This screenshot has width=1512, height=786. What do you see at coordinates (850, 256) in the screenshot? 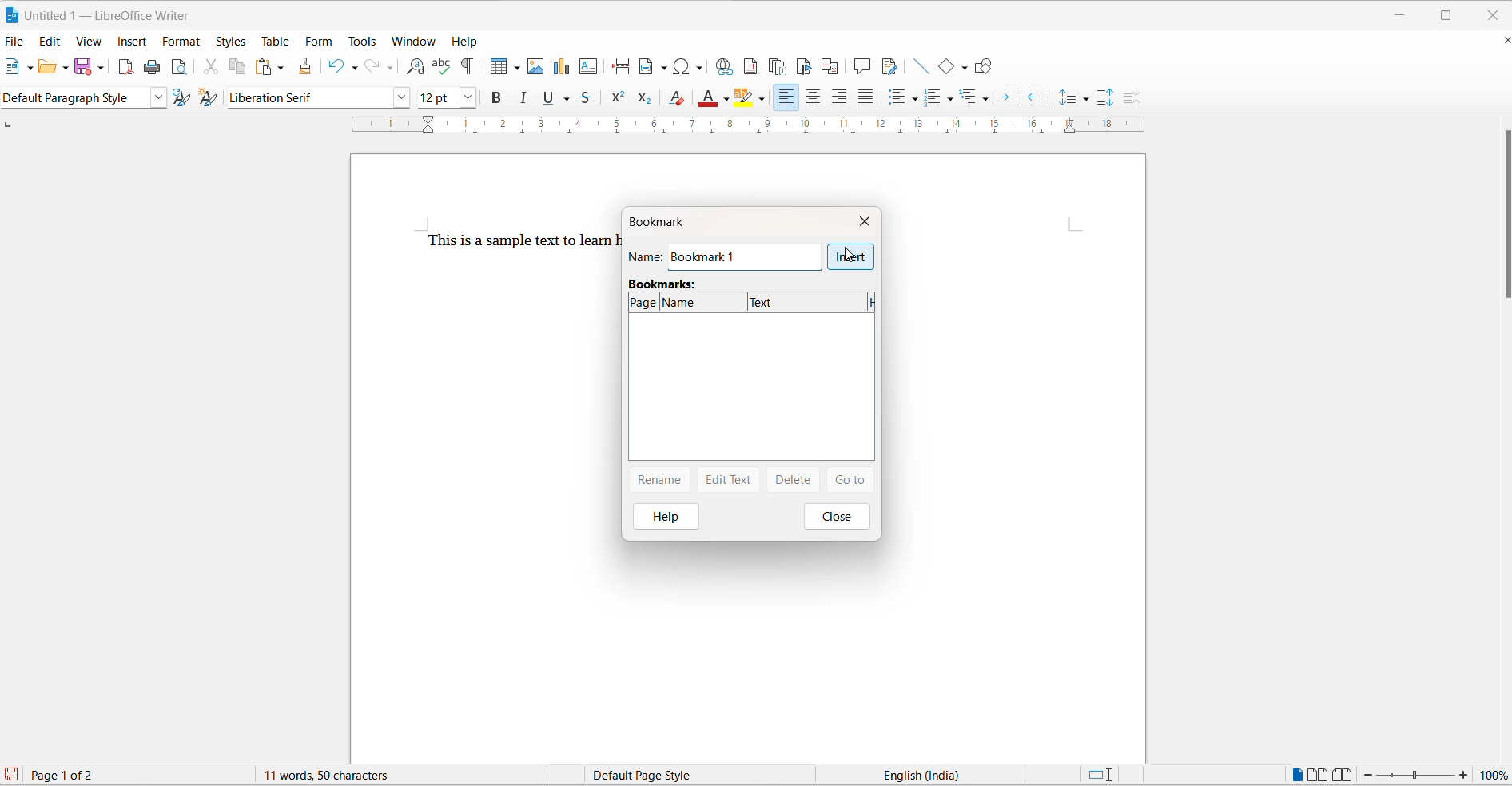
I see `cursor` at bounding box center [850, 256].